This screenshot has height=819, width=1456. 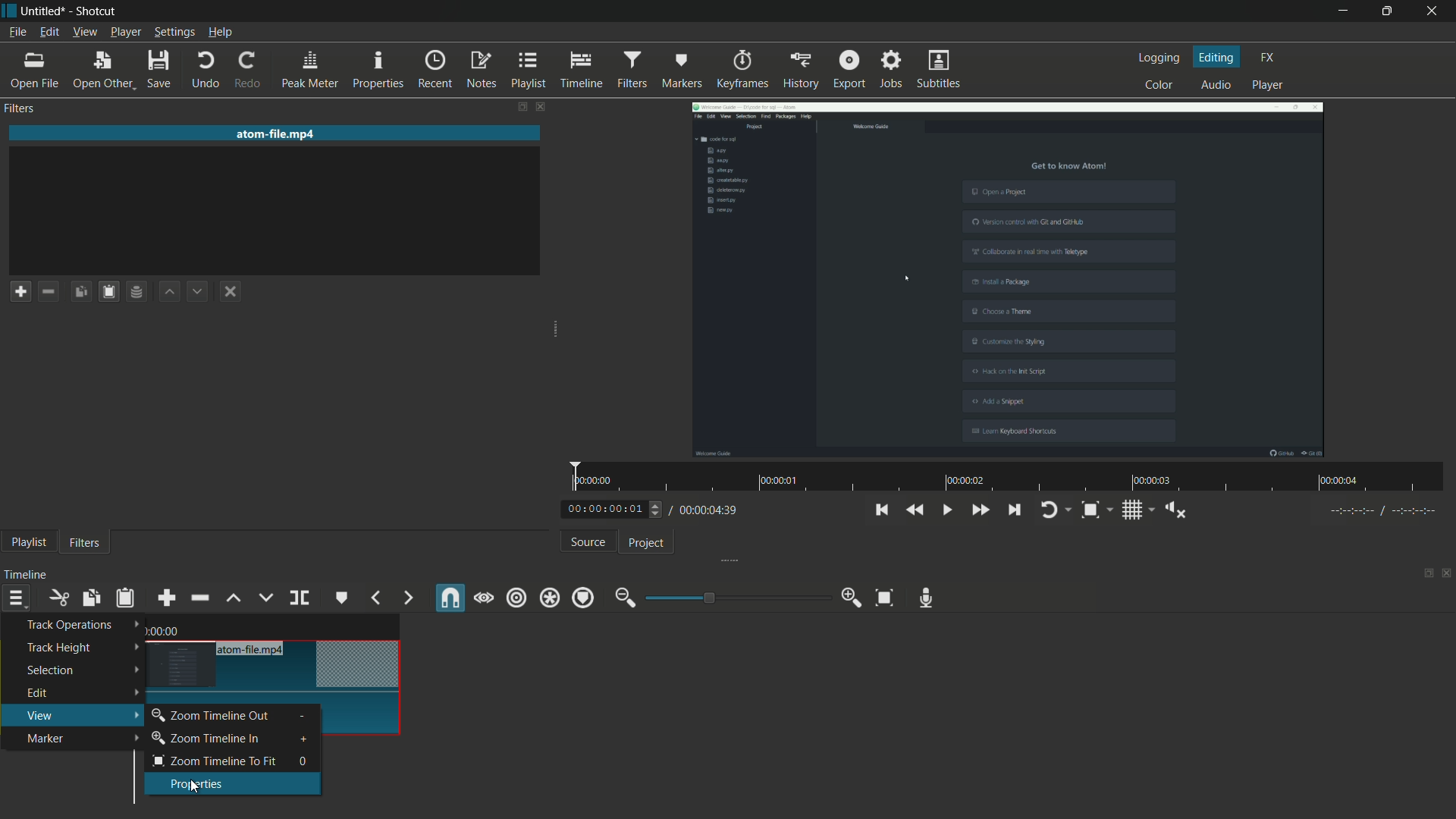 What do you see at coordinates (170, 293) in the screenshot?
I see `move filter up` at bounding box center [170, 293].